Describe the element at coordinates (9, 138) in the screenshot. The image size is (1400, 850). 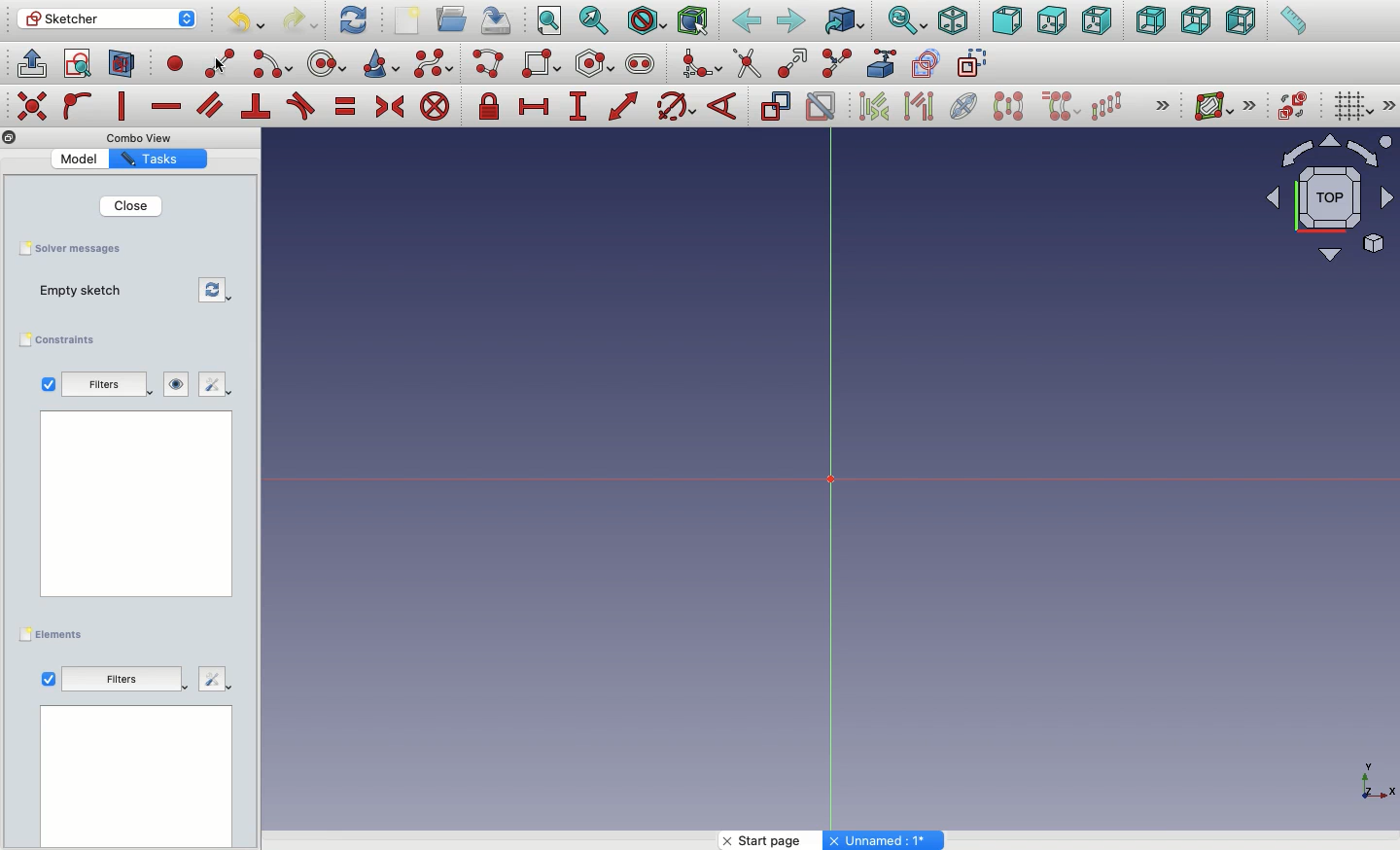
I see `` at that location.